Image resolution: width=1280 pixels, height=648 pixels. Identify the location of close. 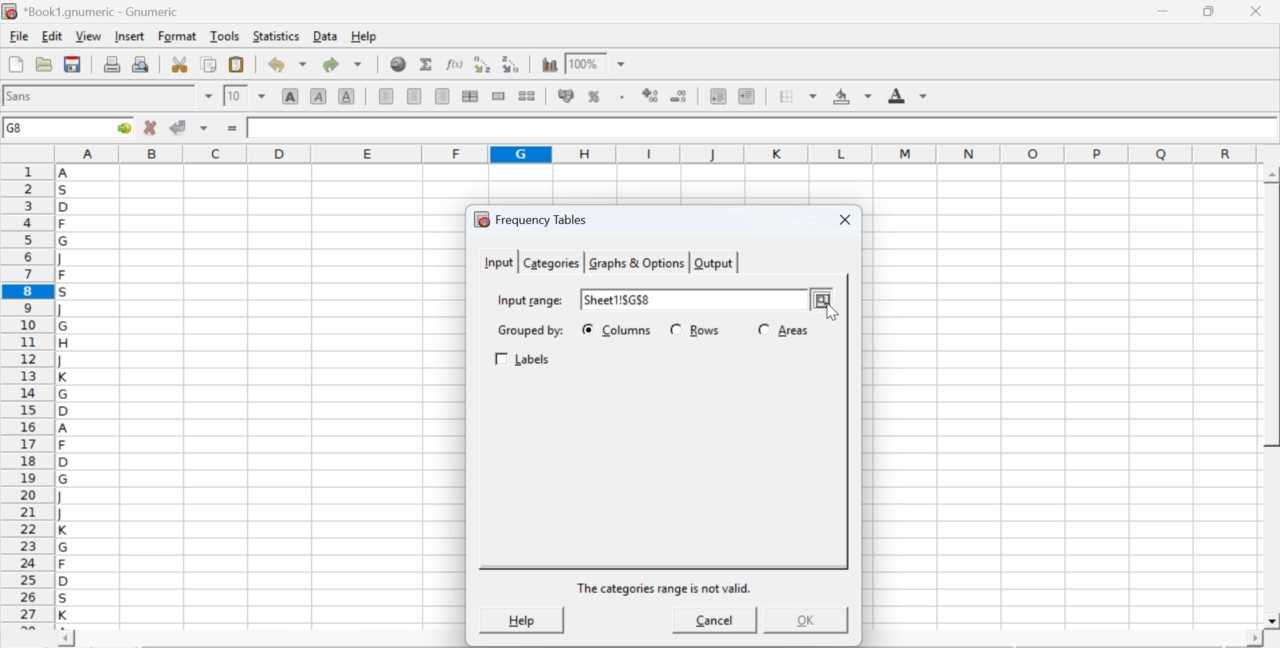
(1254, 11).